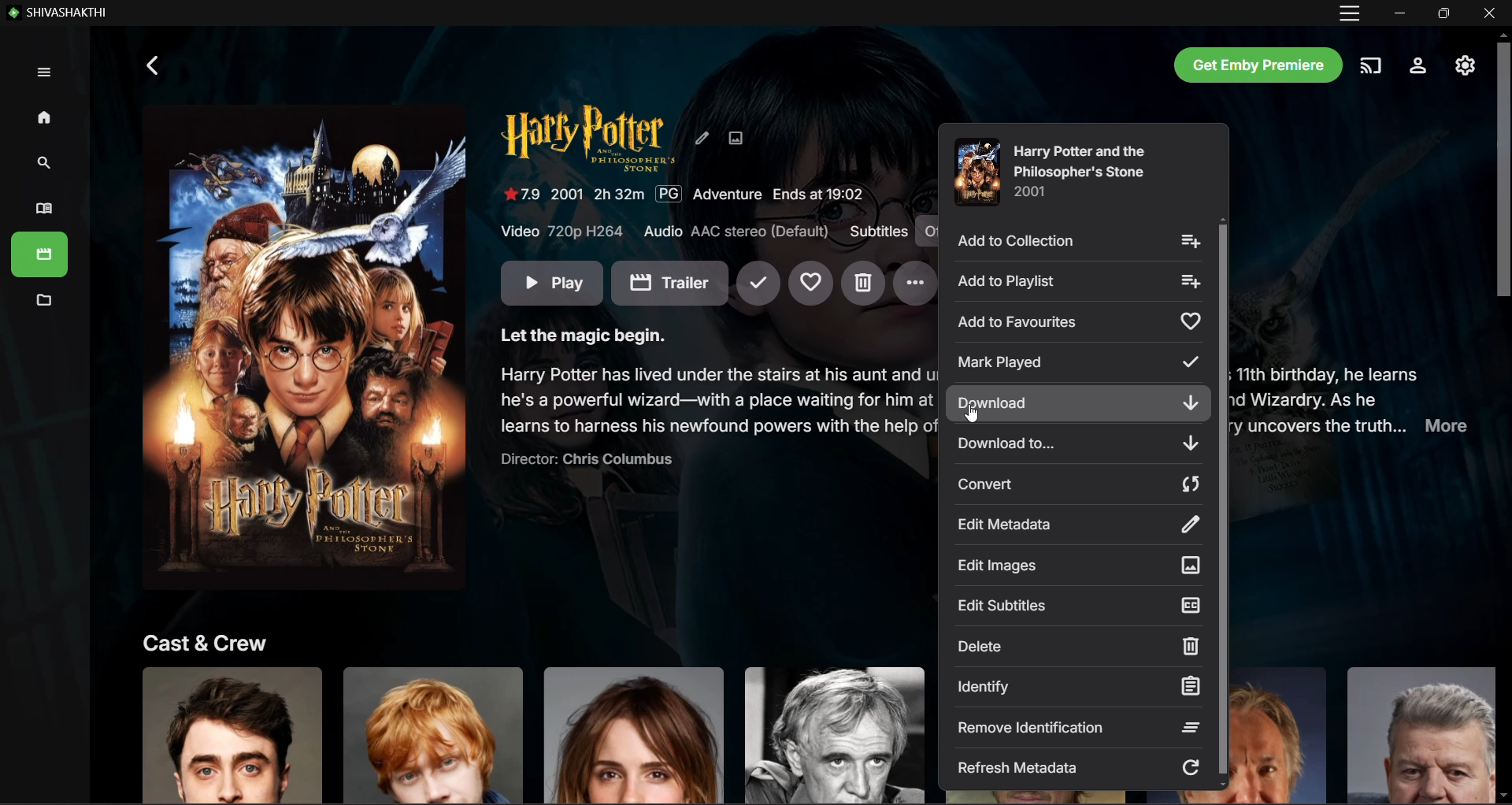  What do you see at coordinates (1077, 685) in the screenshot?
I see `Identify` at bounding box center [1077, 685].